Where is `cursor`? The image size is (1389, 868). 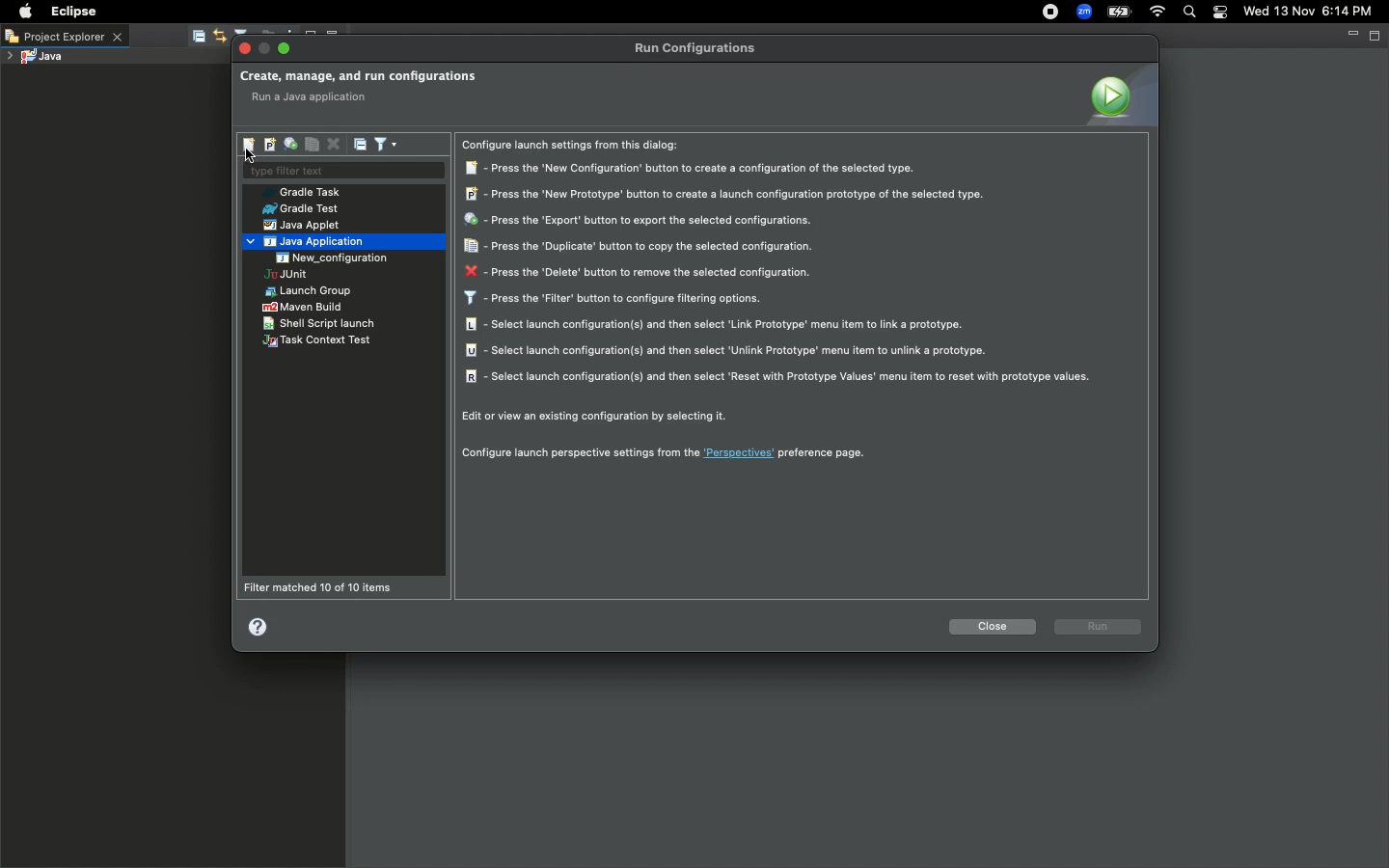 cursor is located at coordinates (249, 158).